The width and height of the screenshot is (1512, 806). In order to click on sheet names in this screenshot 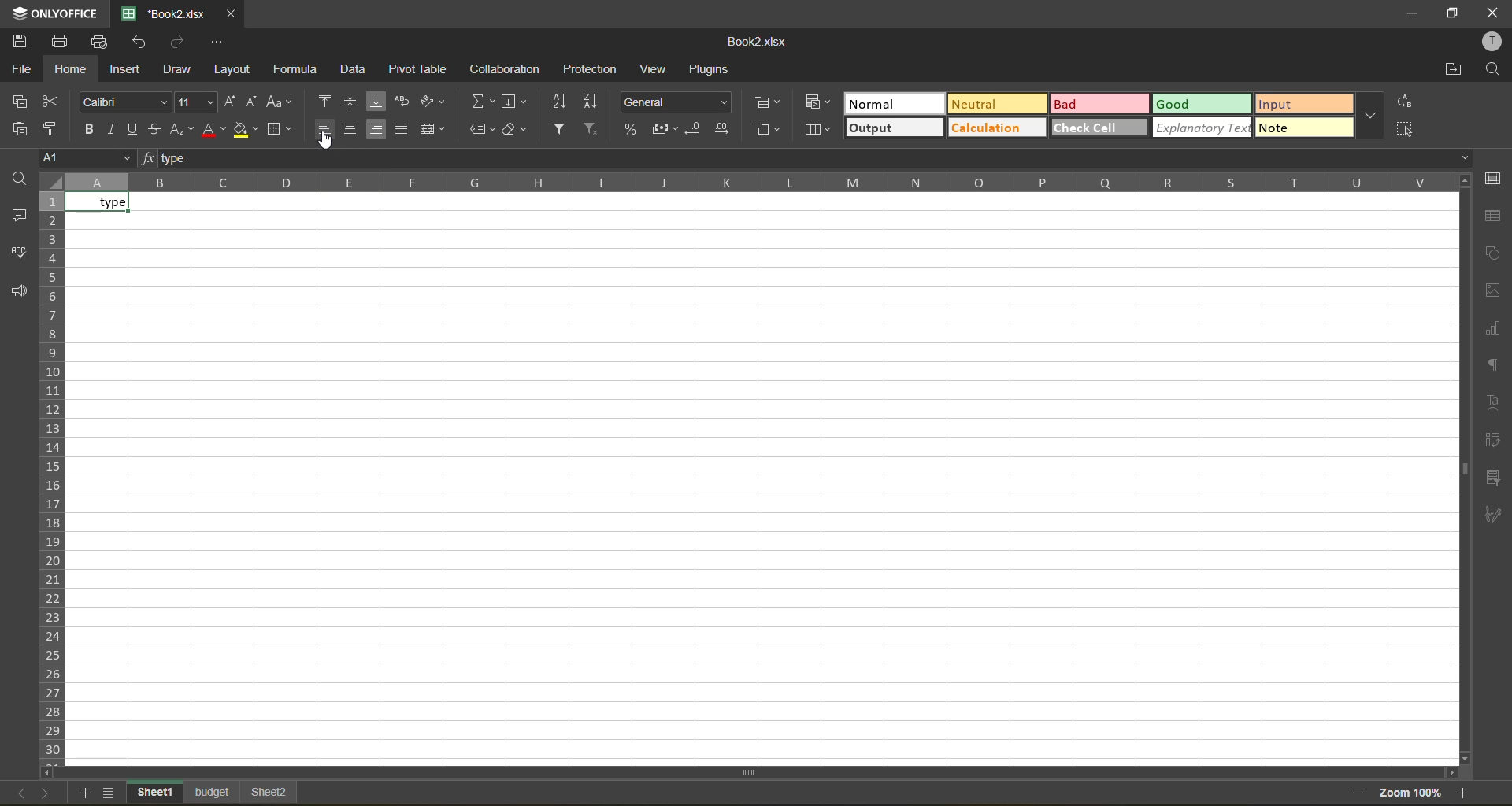, I will do `click(213, 792)`.